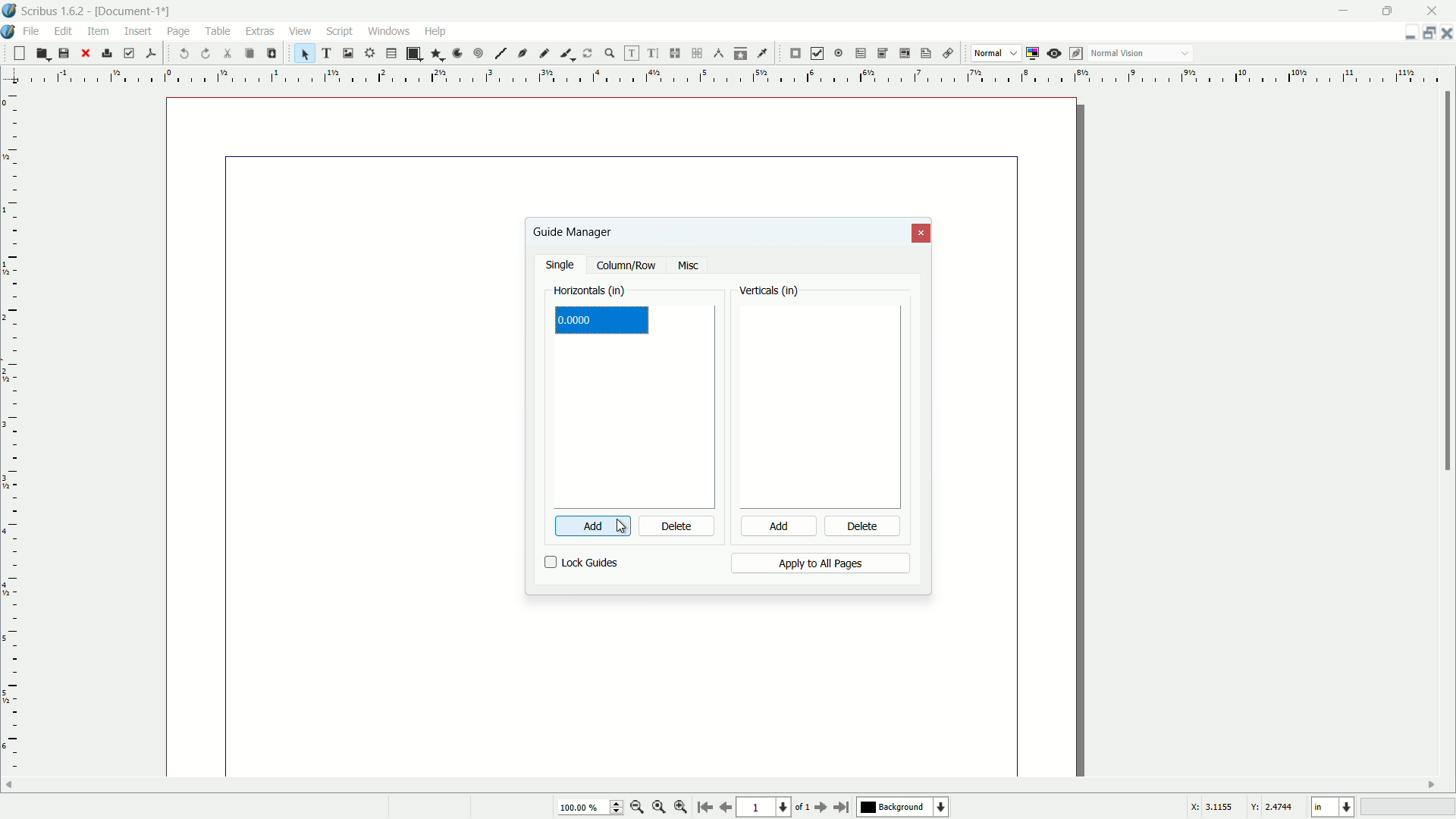  I want to click on print, so click(107, 53).